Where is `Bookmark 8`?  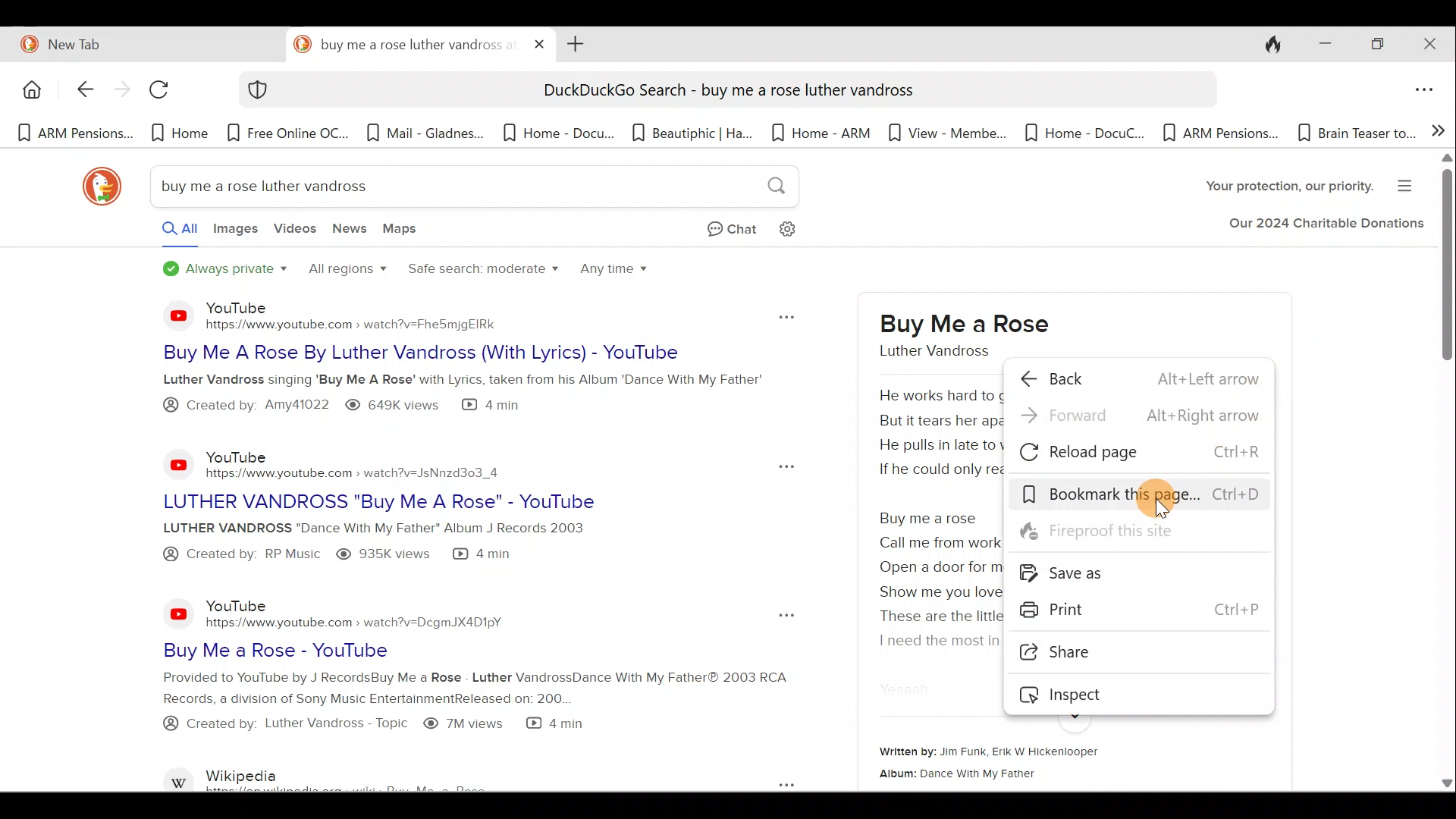 Bookmark 8 is located at coordinates (943, 132).